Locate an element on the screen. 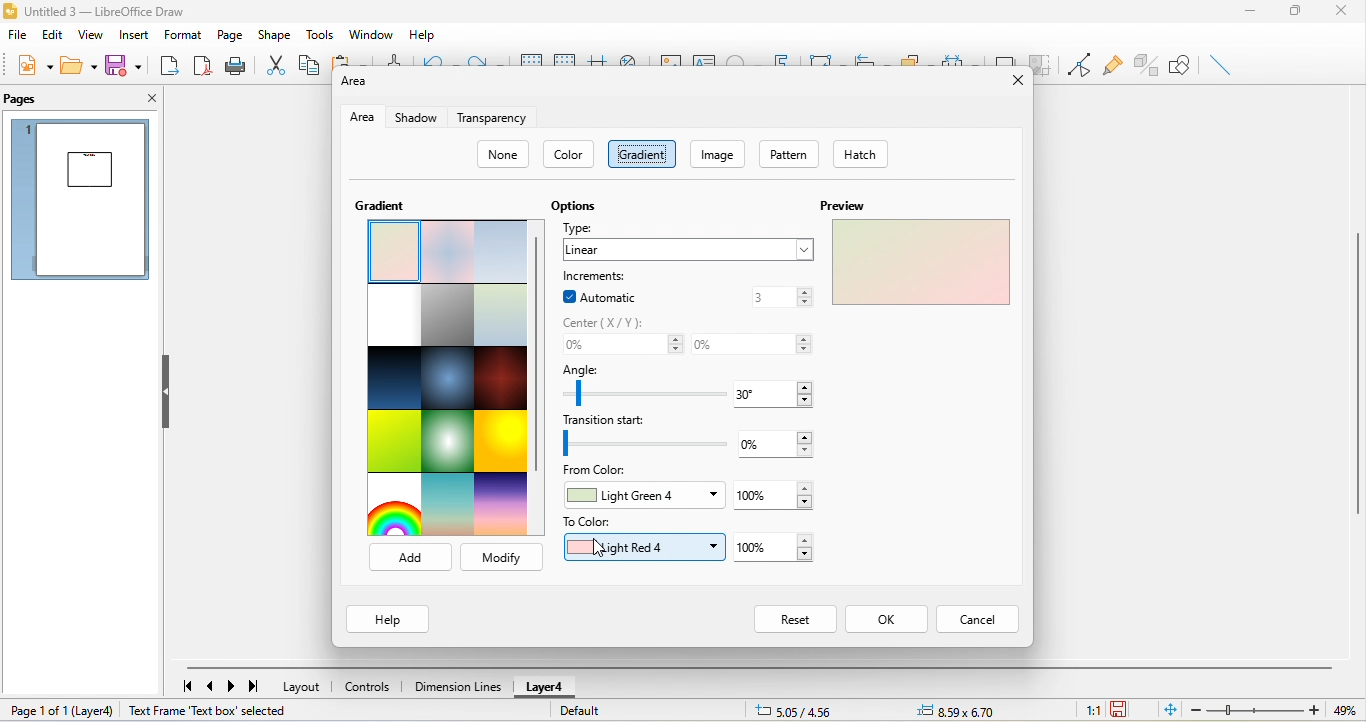  new is located at coordinates (32, 65).